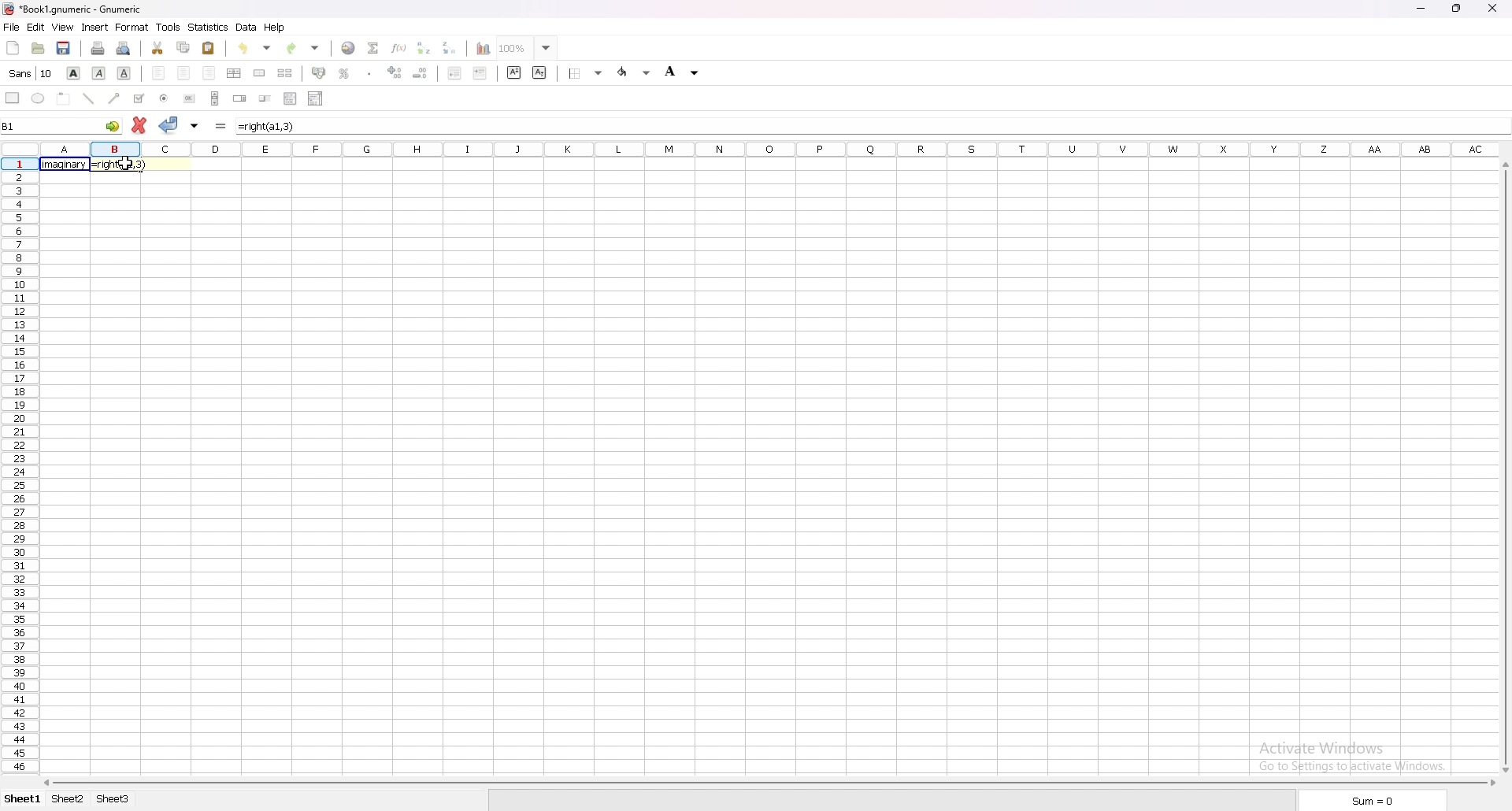 This screenshot has width=1512, height=811. I want to click on format, so click(132, 27).